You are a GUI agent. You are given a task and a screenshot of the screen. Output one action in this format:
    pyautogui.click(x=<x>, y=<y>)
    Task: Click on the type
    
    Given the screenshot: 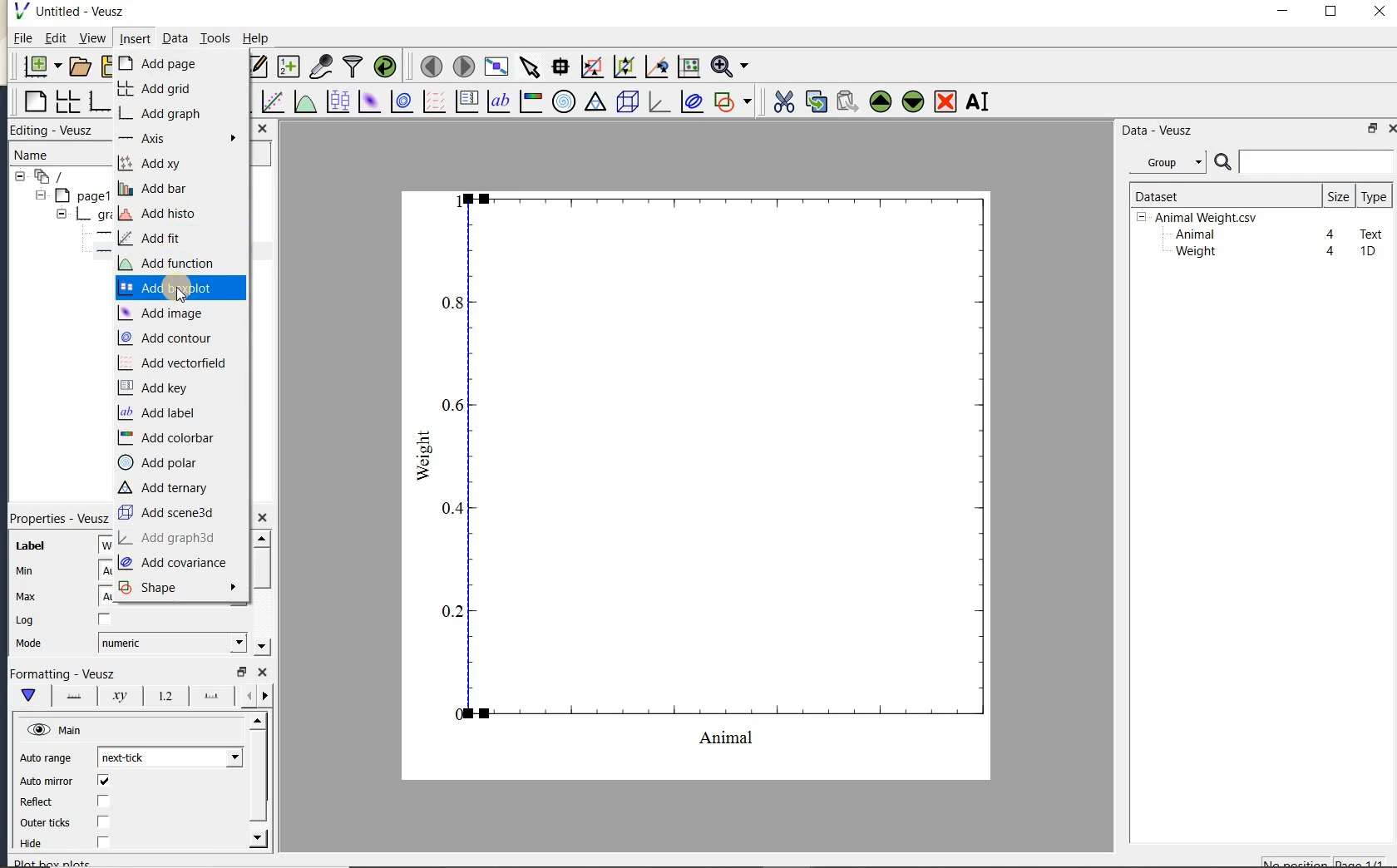 What is the action you would take?
    pyautogui.click(x=1373, y=196)
    